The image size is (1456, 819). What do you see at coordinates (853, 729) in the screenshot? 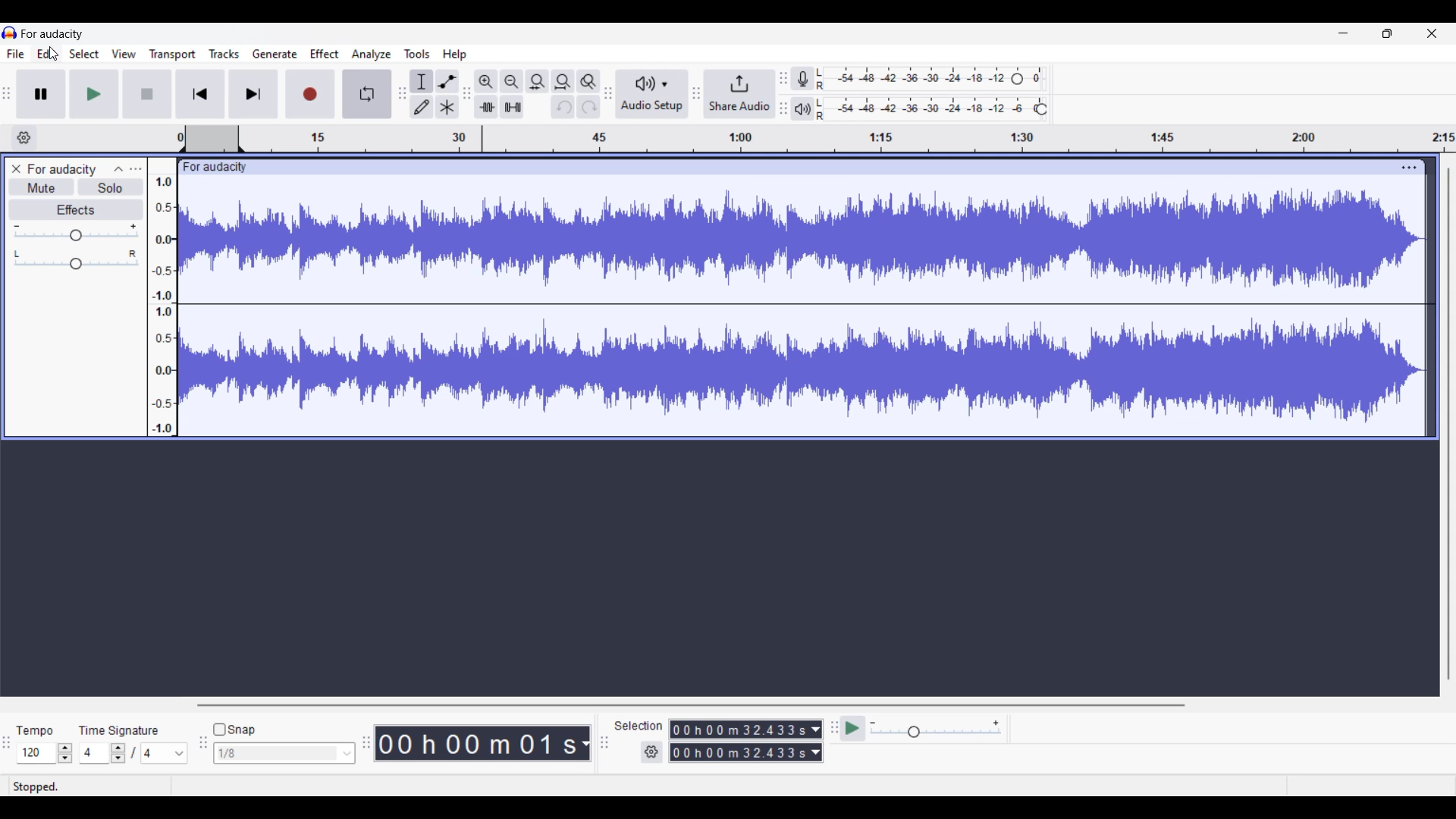
I see `Play at speed/Play at speed once` at bounding box center [853, 729].